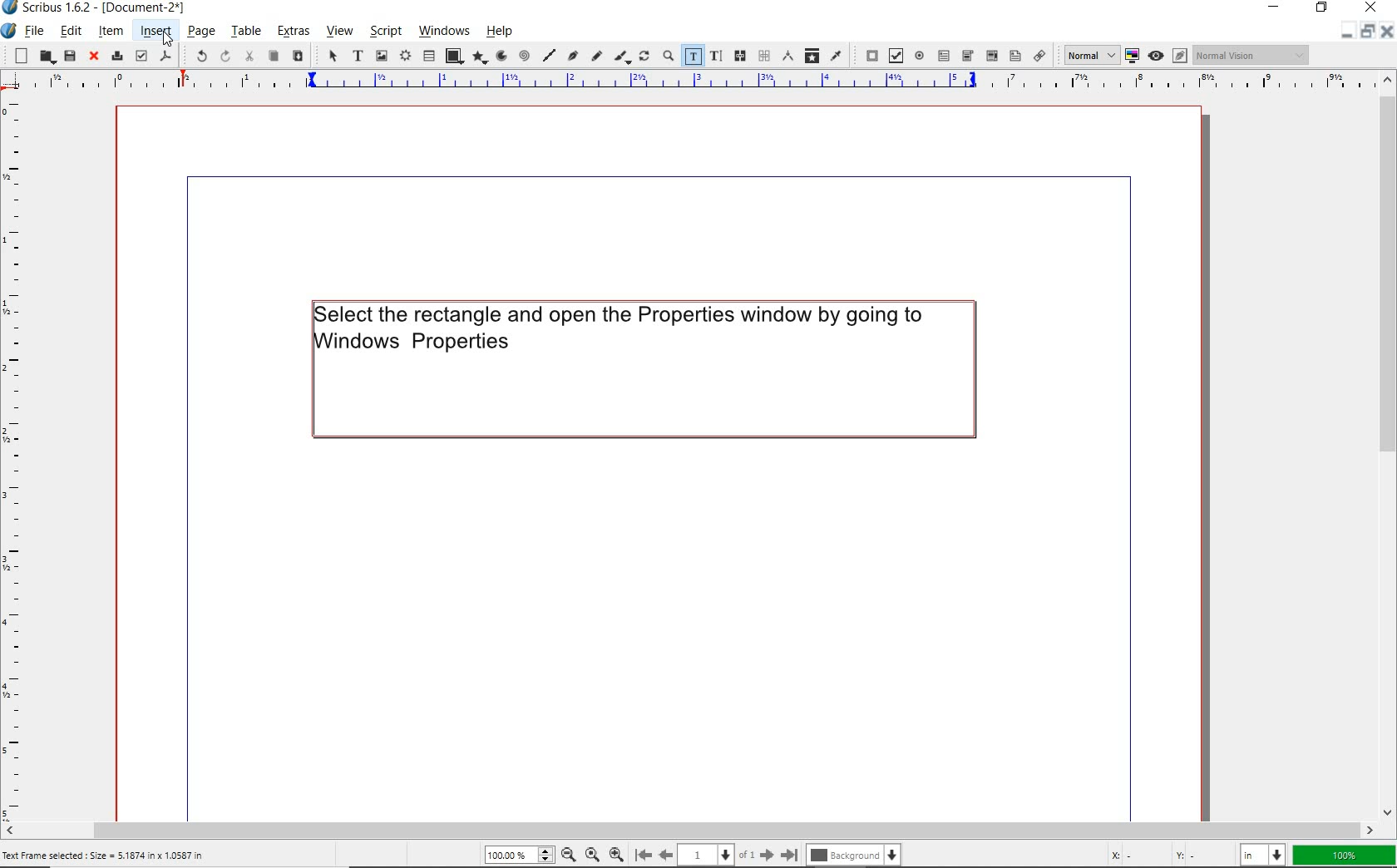  What do you see at coordinates (45, 56) in the screenshot?
I see `open` at bounding box center [45, 56].